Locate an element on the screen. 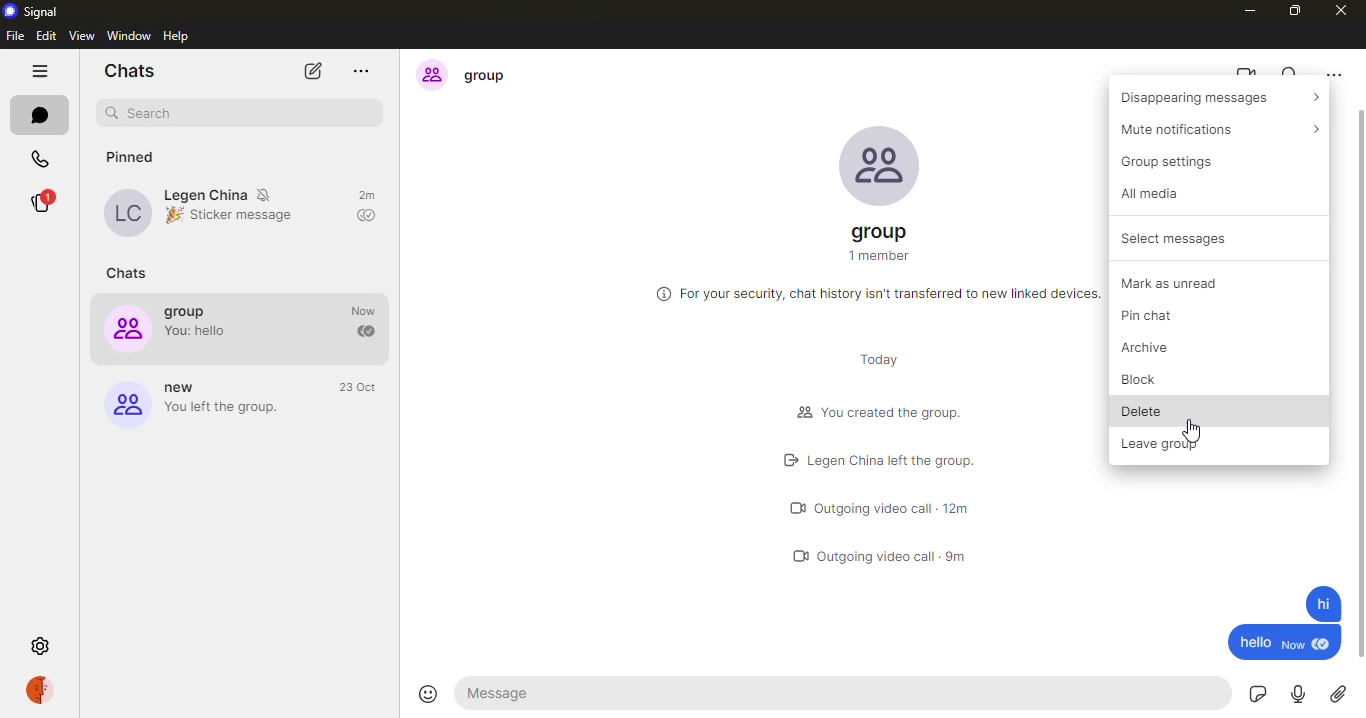 Image resolution: width=1366 pixels, height=718 pixels. help is located at coordinates (177, 36).